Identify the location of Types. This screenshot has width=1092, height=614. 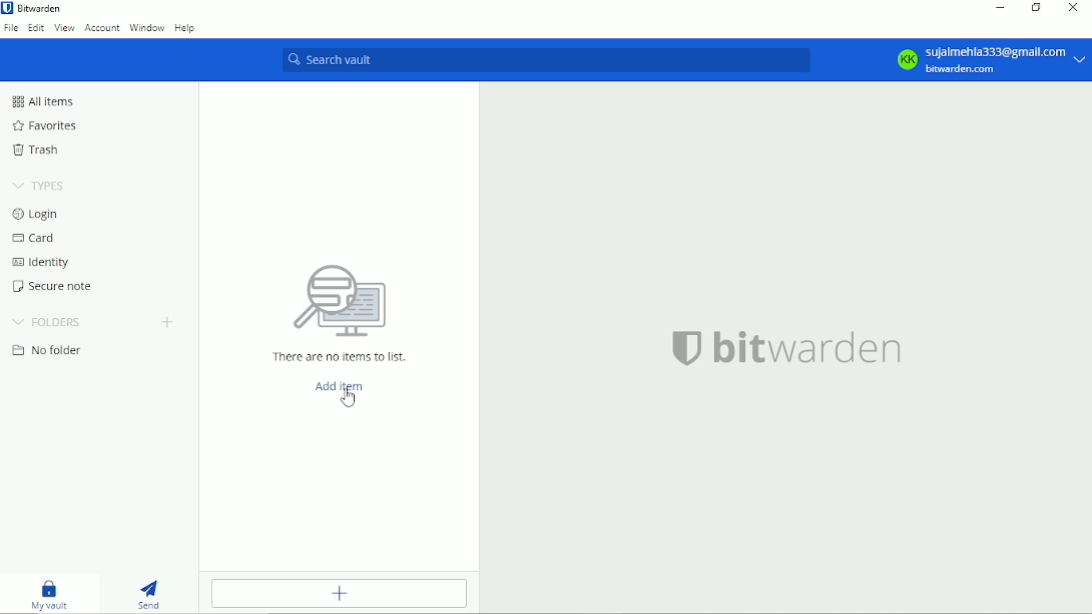
(38, 186).